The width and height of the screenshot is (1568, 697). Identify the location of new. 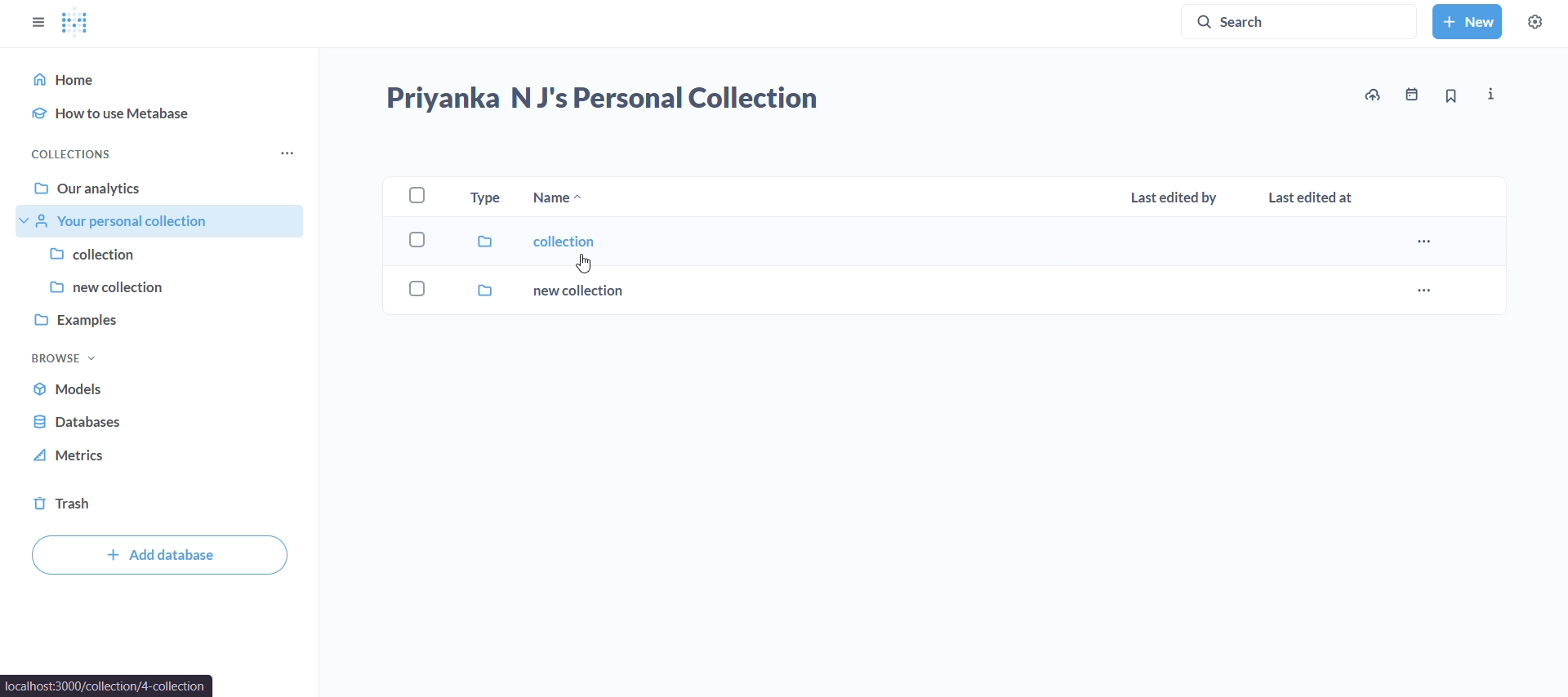
(1467, 20).